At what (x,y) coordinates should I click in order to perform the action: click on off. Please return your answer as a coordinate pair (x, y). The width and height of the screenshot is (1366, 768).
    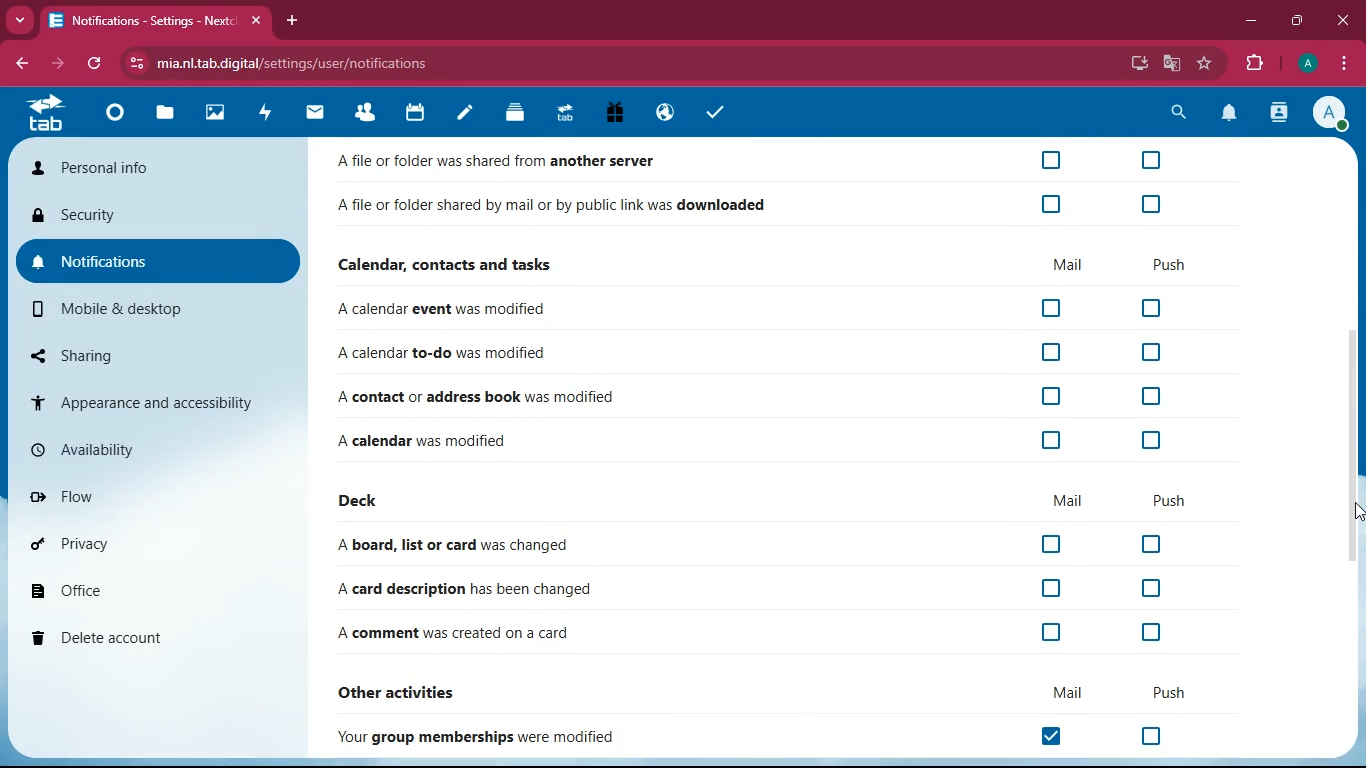
    Looking at the image, I should click on (1049, 440).